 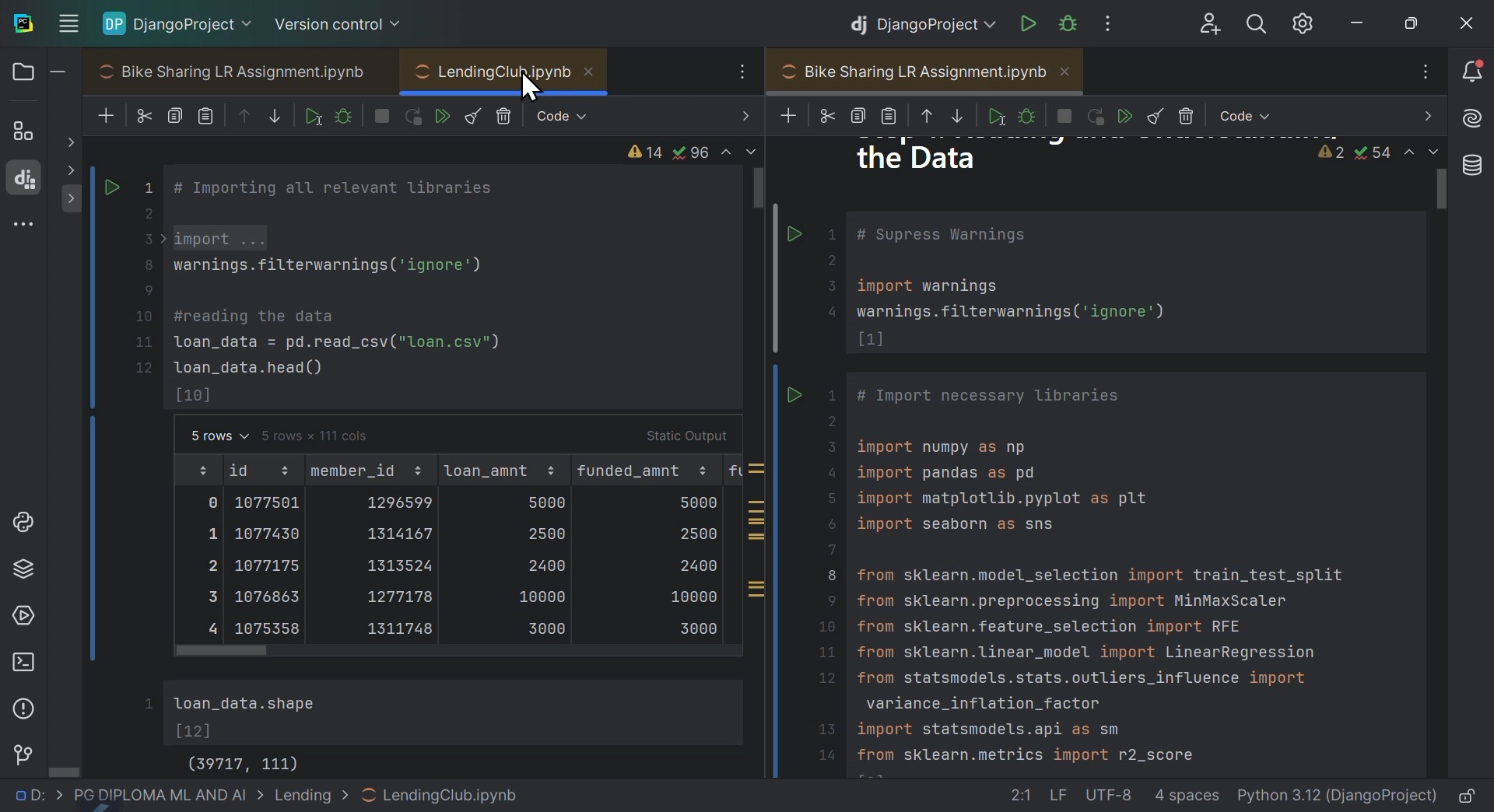 I want to click on next, so click(x=749, y=117).